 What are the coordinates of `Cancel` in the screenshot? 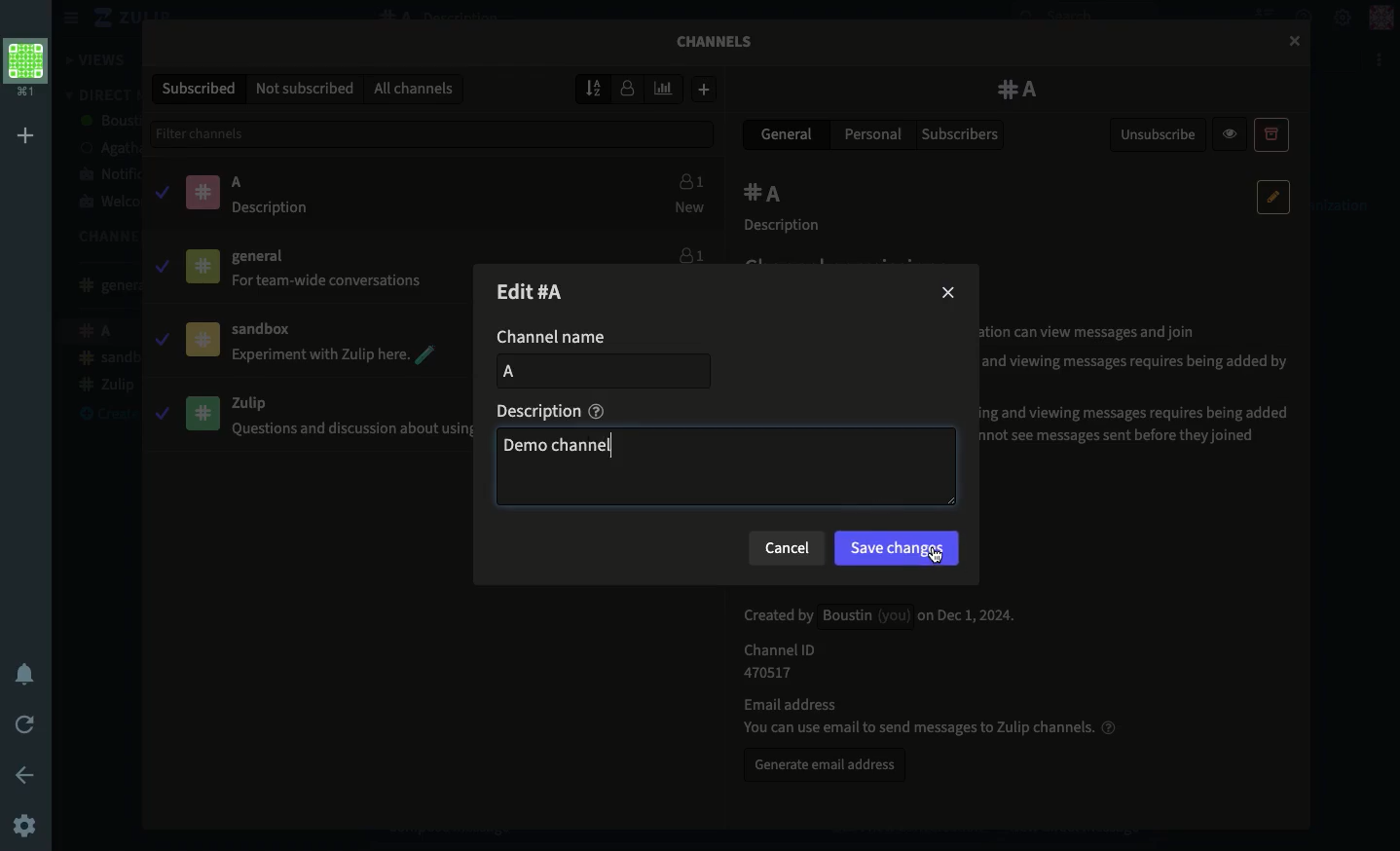 It's located at (787, 550).